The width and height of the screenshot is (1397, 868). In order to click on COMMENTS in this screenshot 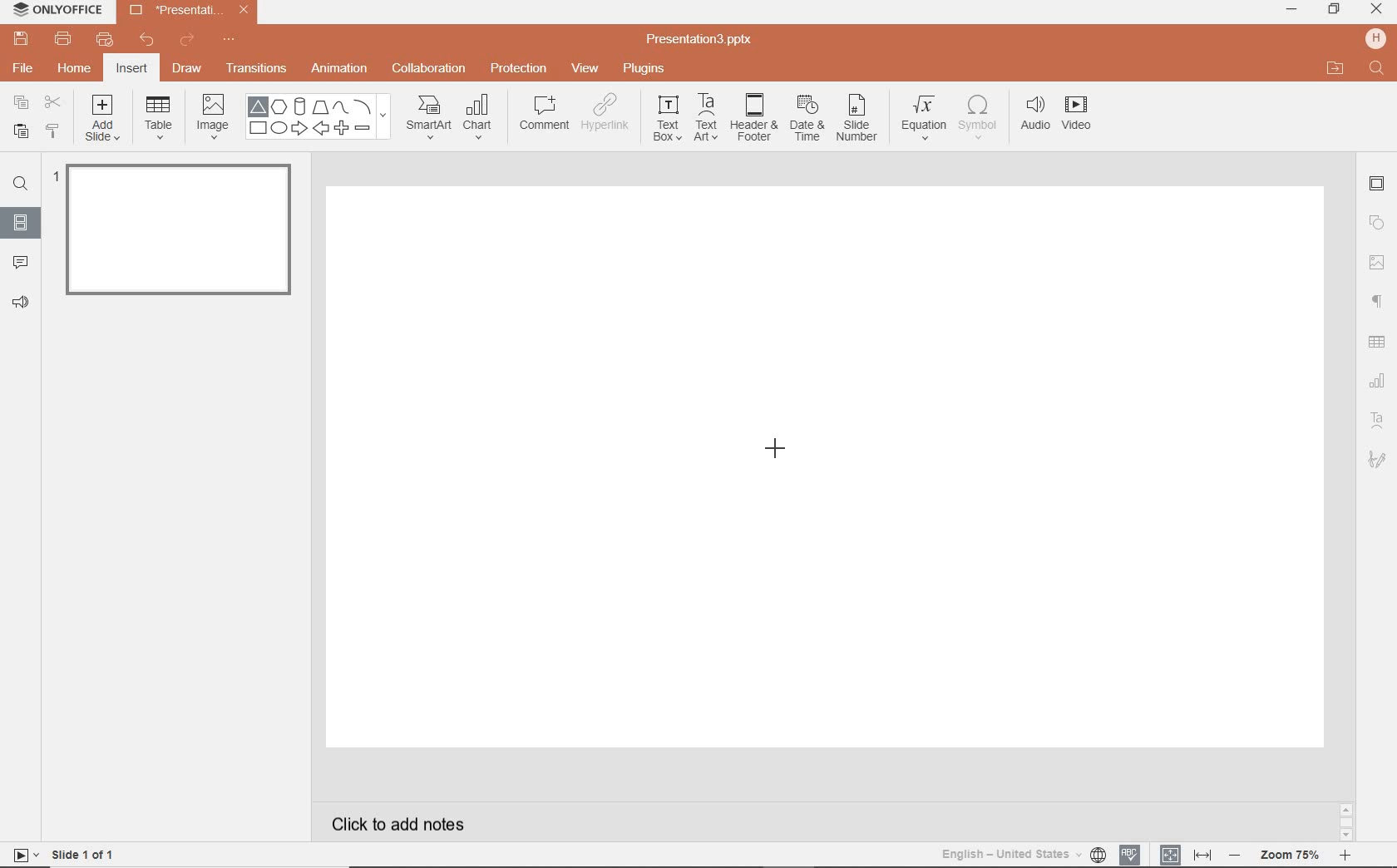, I will do `click(20, 261)`.